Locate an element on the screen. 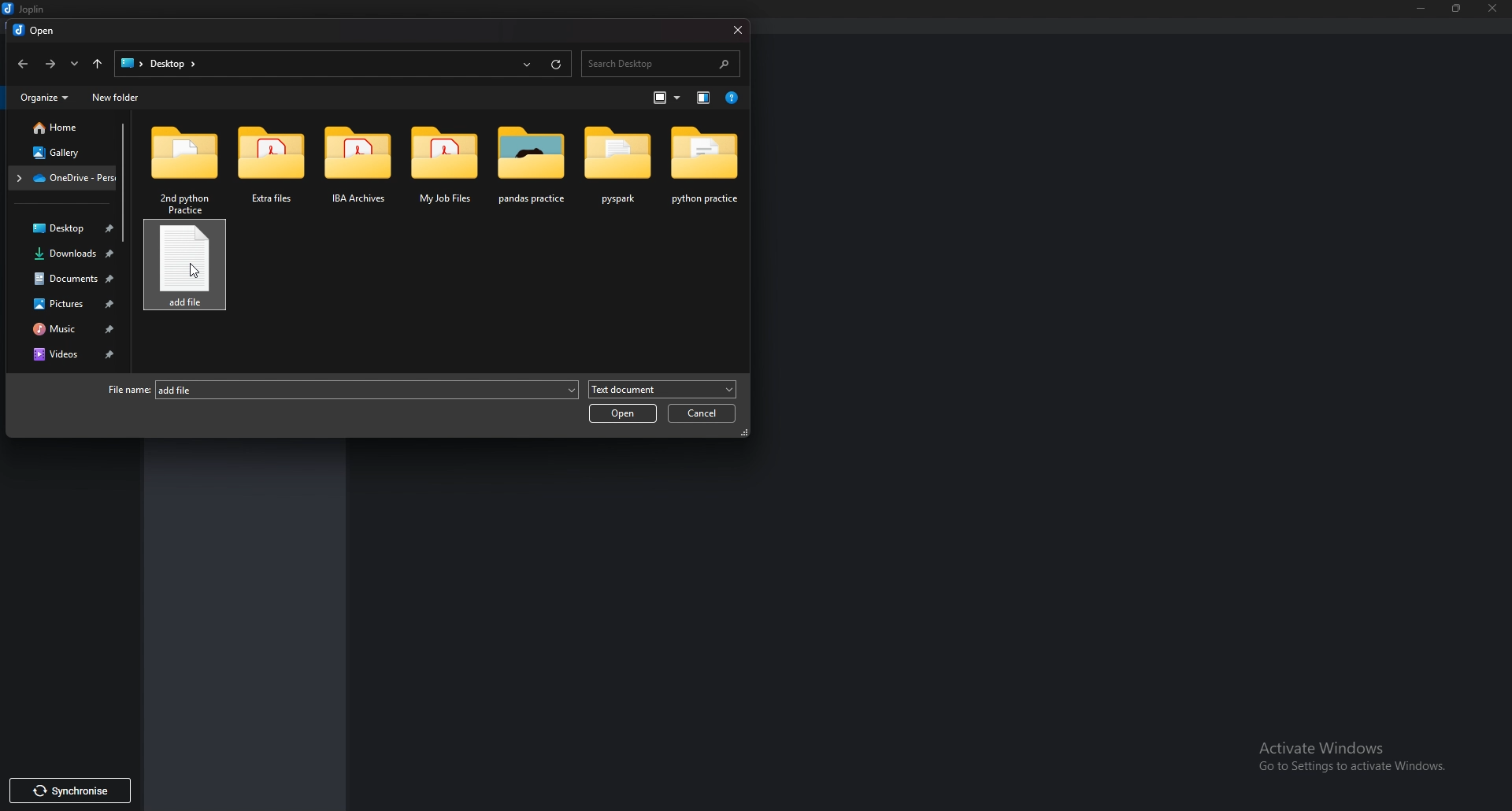 Image resolution: width=1512 pixels, height=811 pixels. Show previous pane is located at coordinates (706, 98).